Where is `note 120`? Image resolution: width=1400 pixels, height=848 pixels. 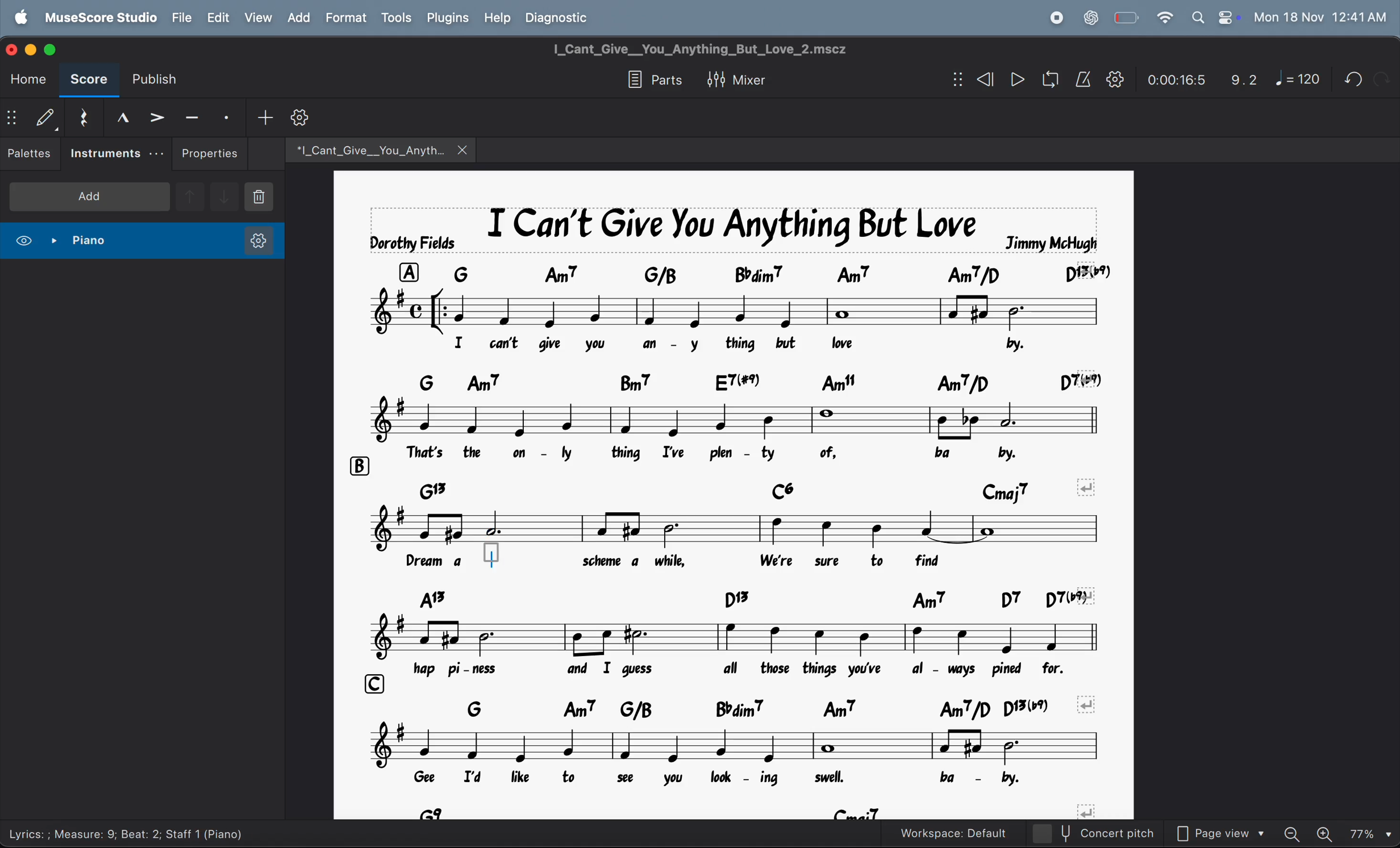
note 120 is located at coordinates (1299, 80).